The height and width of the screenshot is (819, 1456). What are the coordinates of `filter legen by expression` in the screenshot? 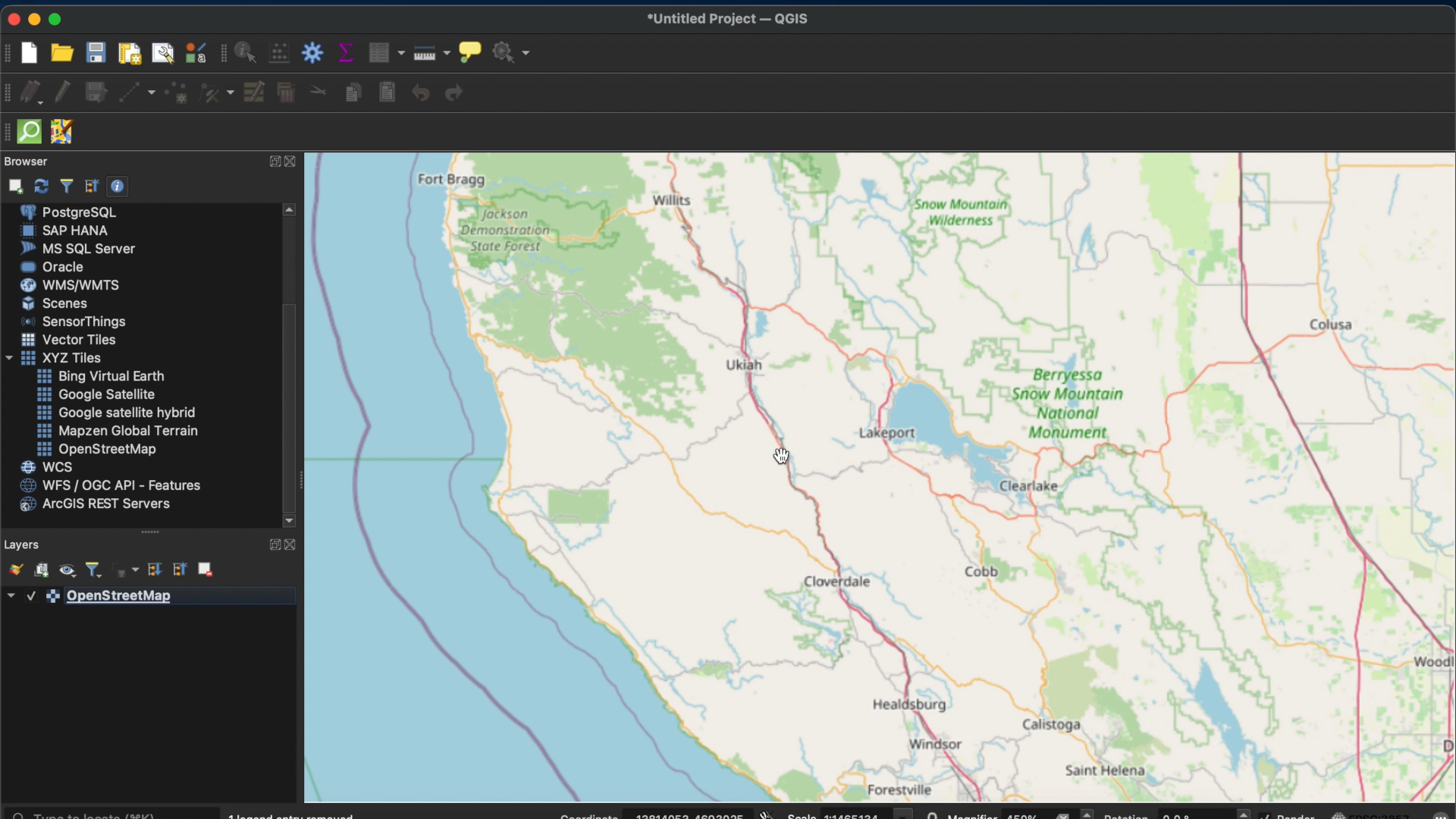 It's located at (126, 570).